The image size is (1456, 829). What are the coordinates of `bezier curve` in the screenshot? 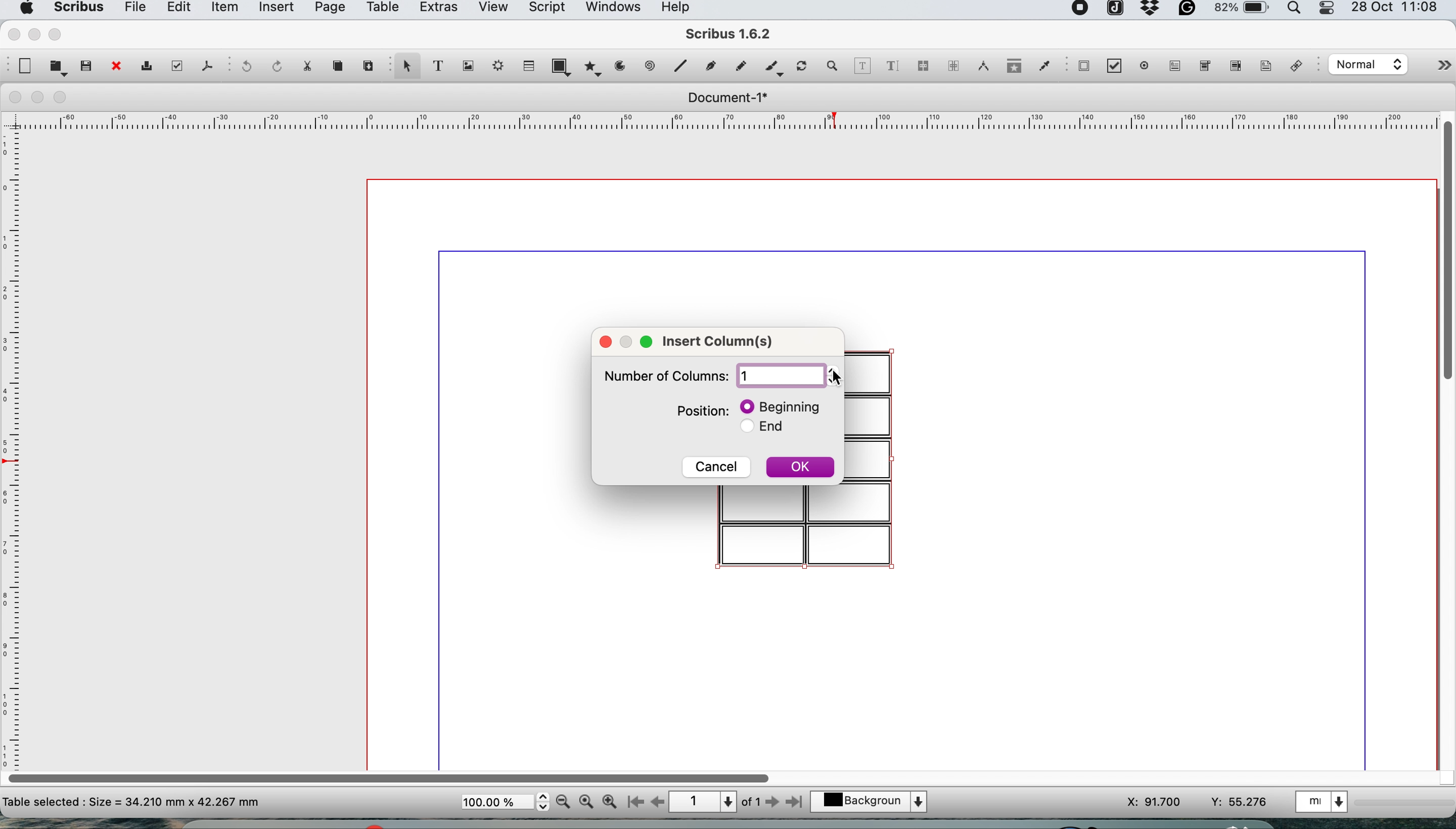 It's located at (709, 68).